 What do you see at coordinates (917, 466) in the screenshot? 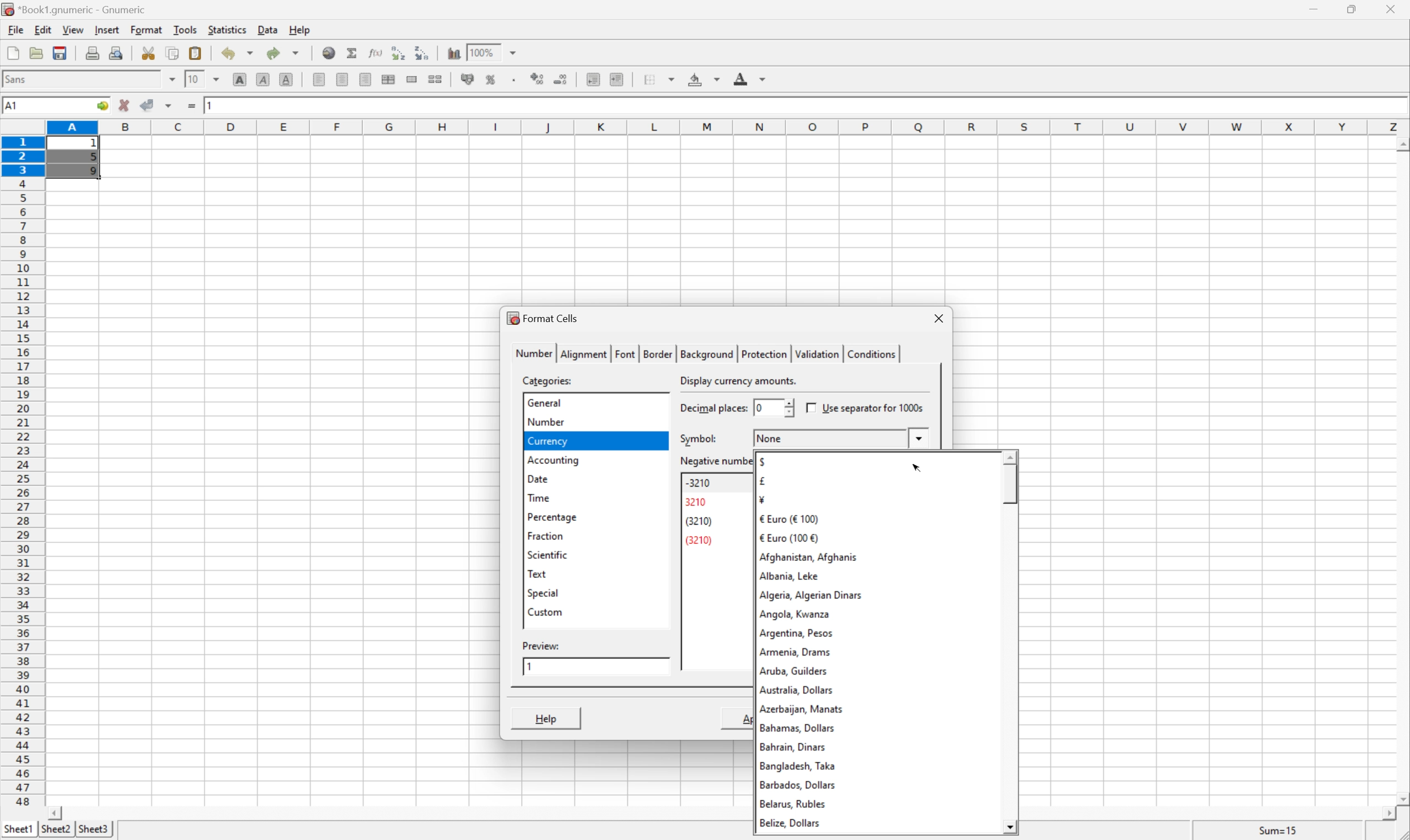
I see `cursor` at bounding box center [917, 466].